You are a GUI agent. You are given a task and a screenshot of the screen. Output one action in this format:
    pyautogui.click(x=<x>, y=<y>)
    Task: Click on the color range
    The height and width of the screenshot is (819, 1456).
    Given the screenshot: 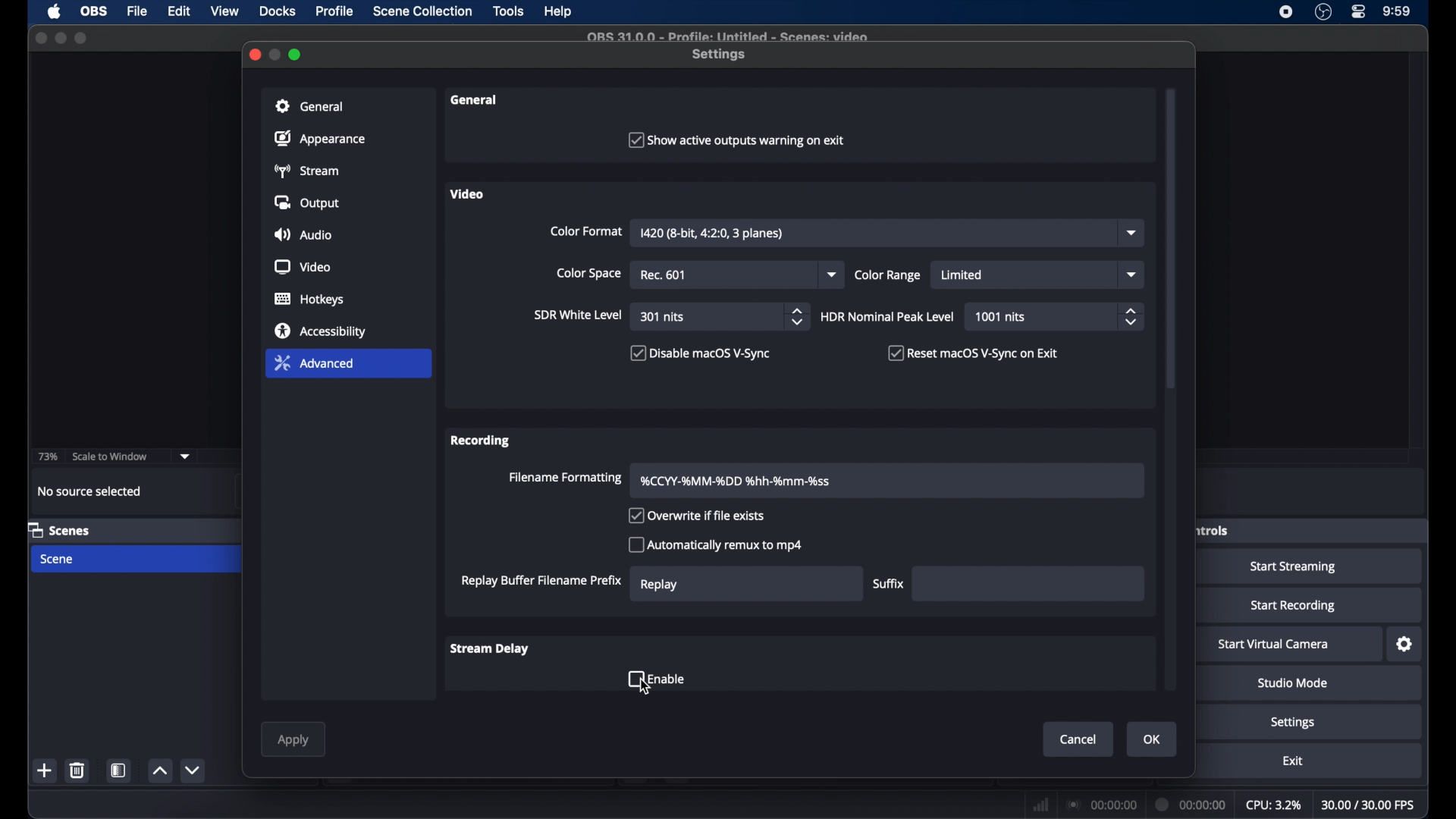 What is the action you would take?
    pyautogui.click(x=888, y=275)
    